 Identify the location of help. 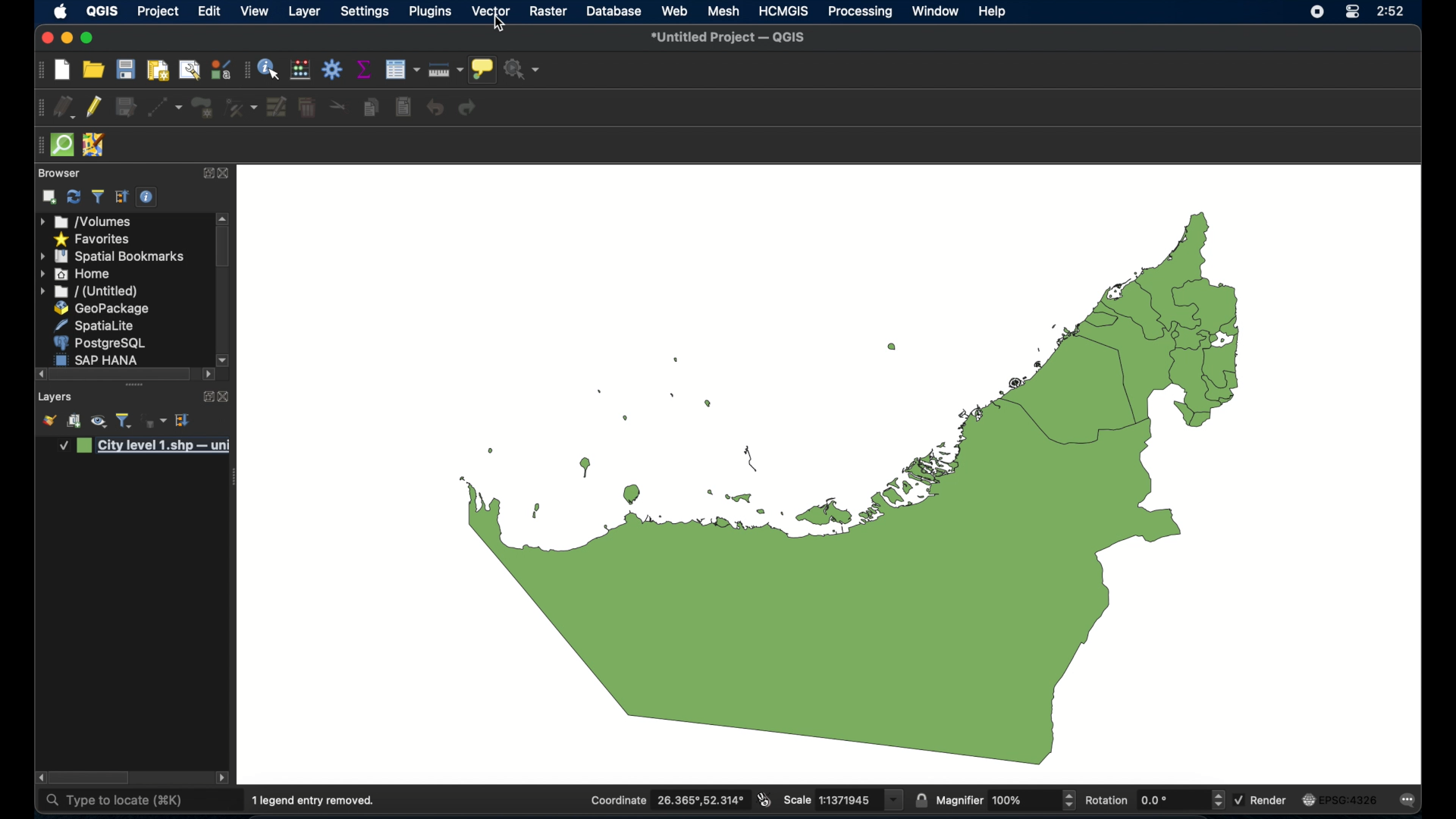
(994, 12).